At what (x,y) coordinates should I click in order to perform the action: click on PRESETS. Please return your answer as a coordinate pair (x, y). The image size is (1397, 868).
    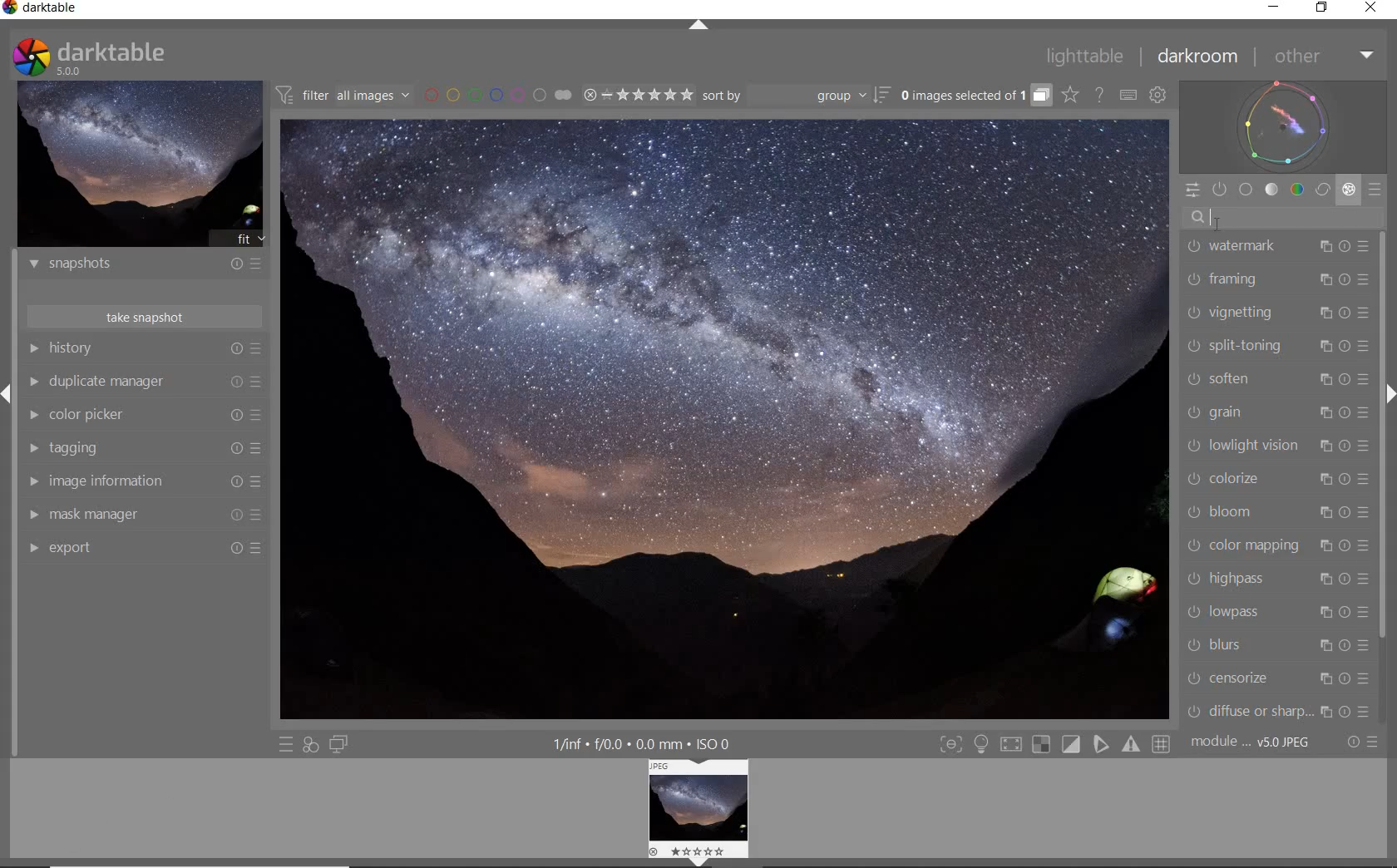
    Looking at the image, I should click on (1375, 192).